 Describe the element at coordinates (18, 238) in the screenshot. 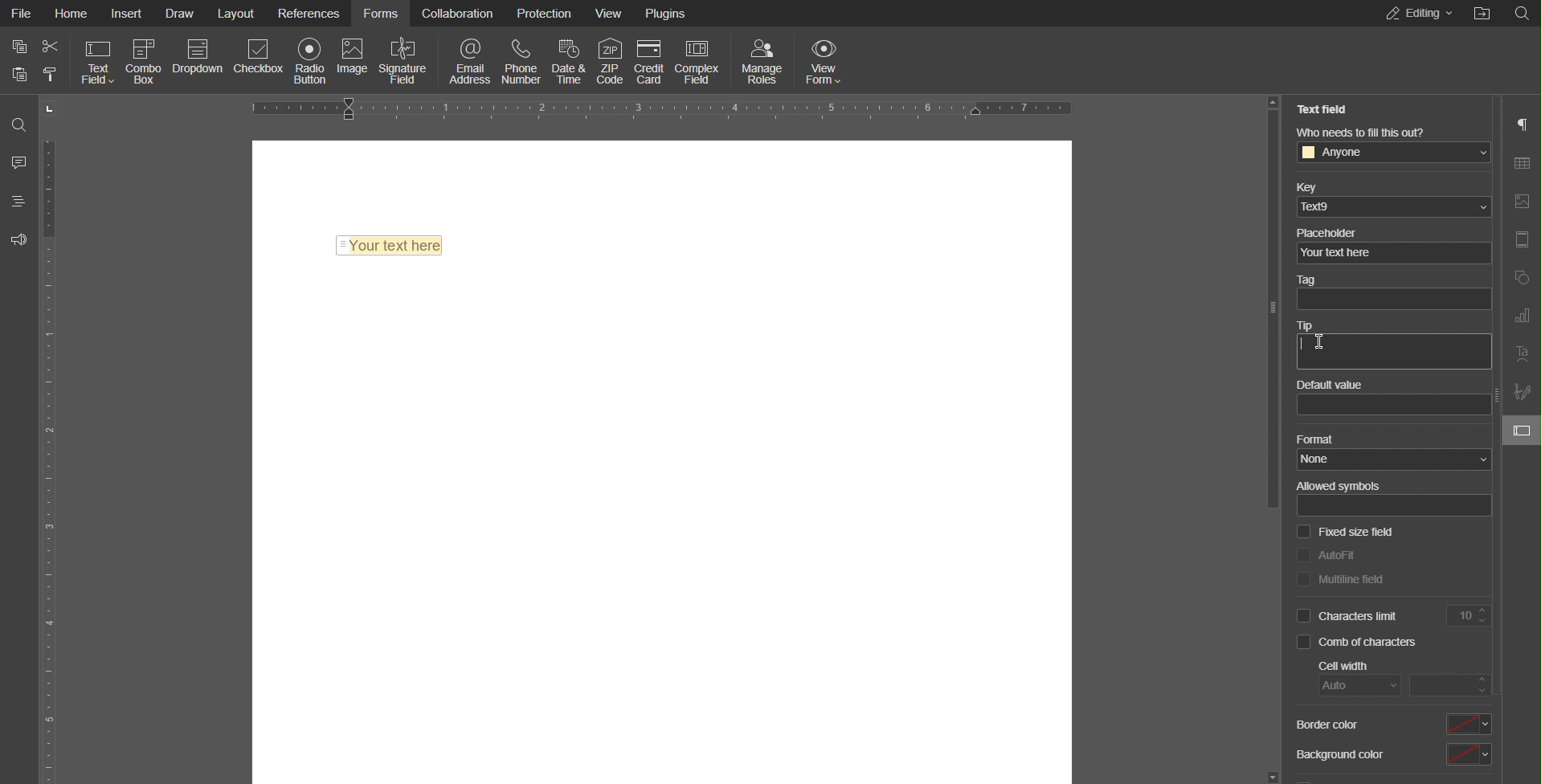

I see `Feedback and Support` at that location.